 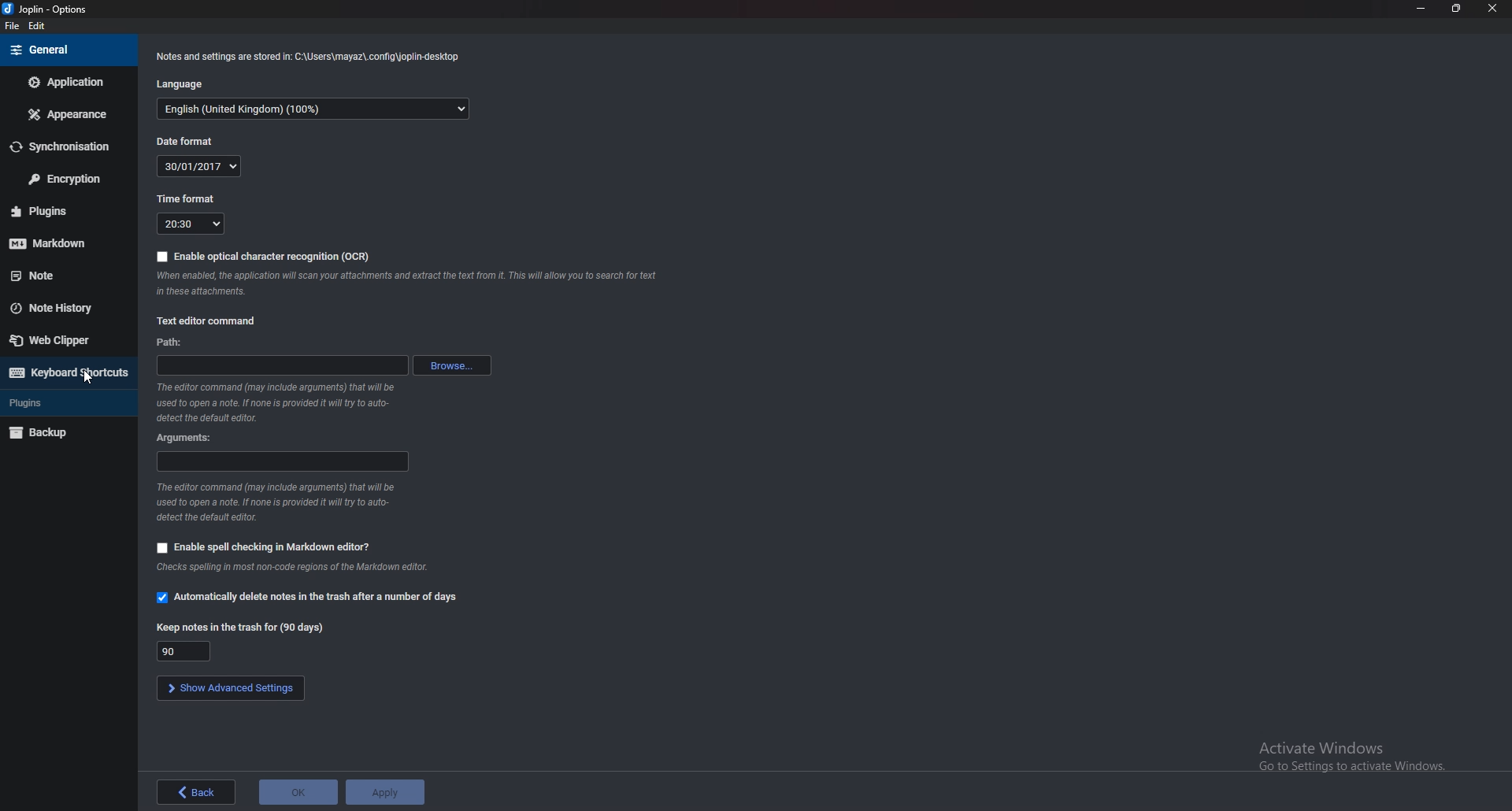 I want to click on Synchronization, so click(x=68, y=146).